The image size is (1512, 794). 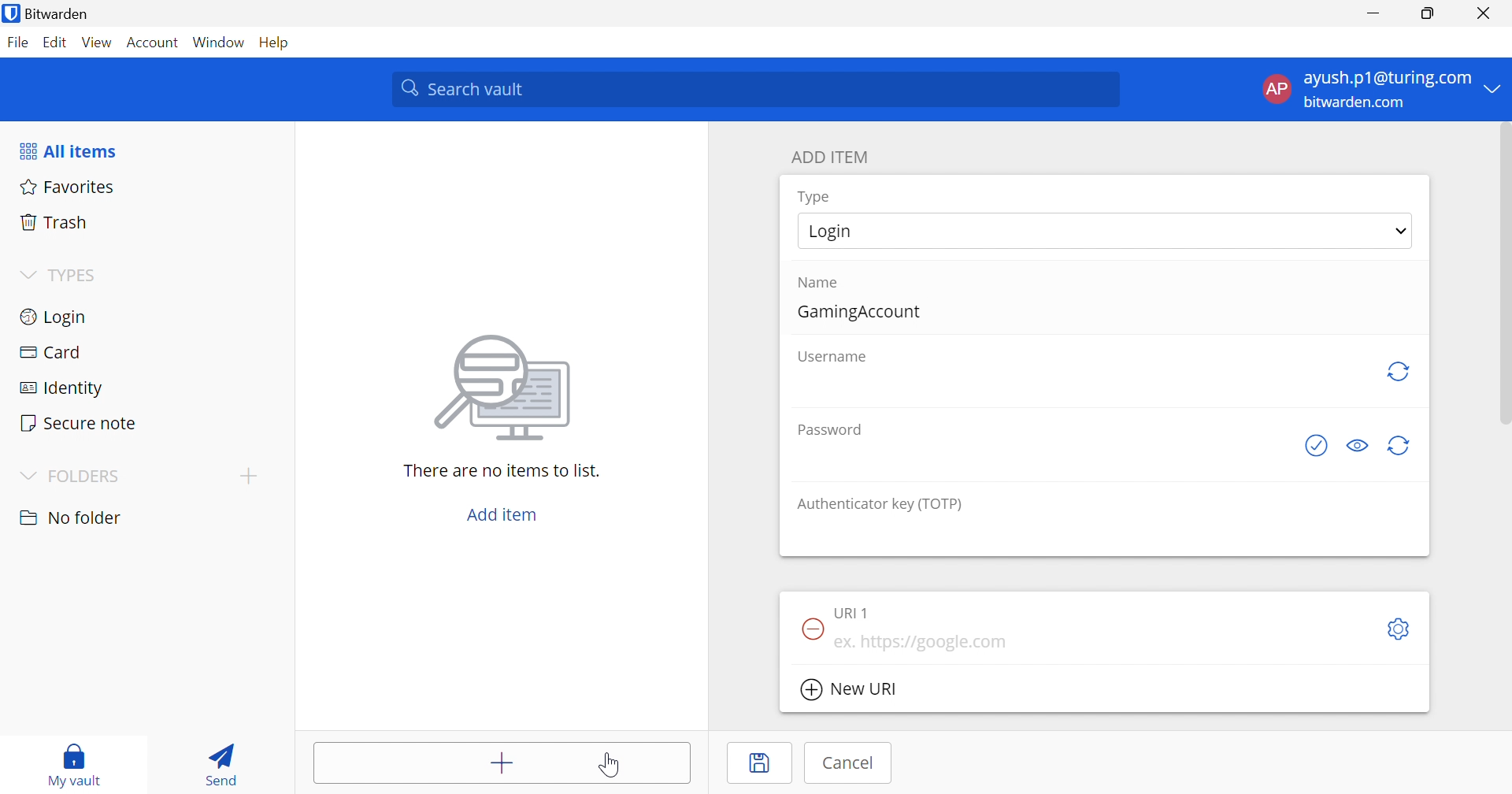 What do you see at coordinates (53, 354) in the screenshot?
I see `Card` at bounding box center [53, 354].